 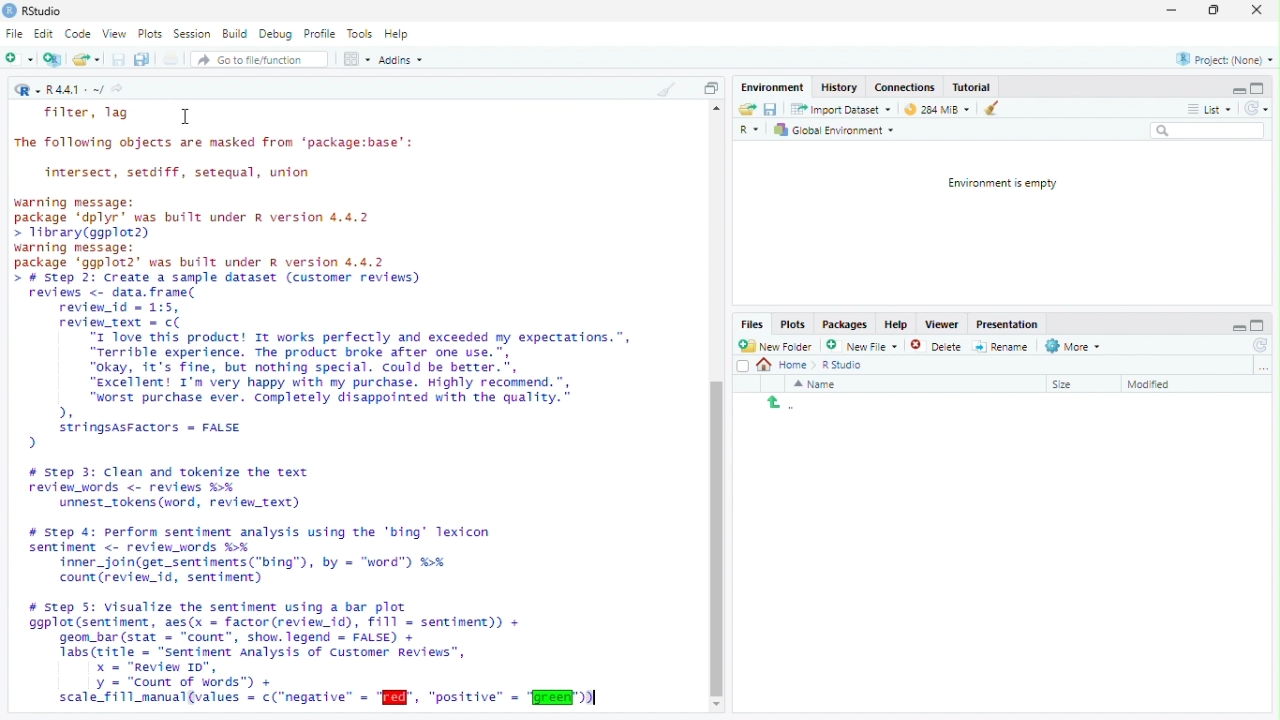 What do you see at coordinates (748, 109) in the screenshot?
I see `Open` at bounding box center [748, 109].